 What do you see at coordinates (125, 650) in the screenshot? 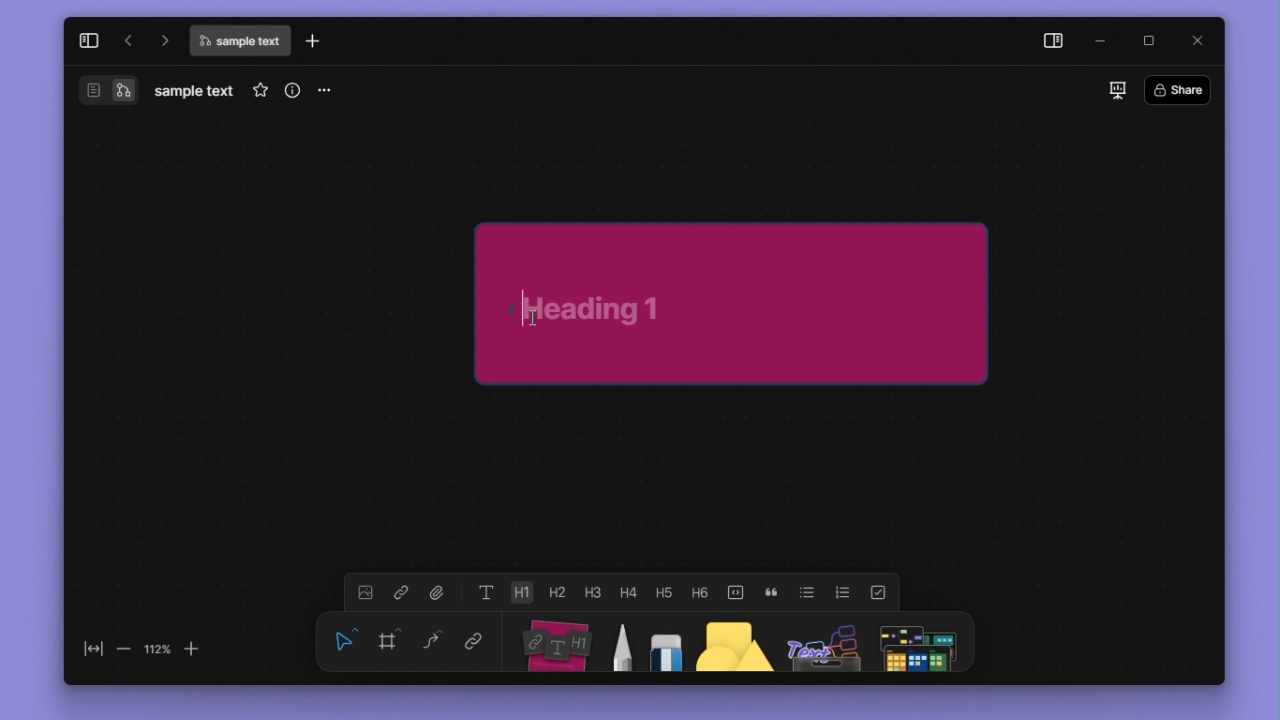
I see `zoom out` at bounding box center [125, 650].